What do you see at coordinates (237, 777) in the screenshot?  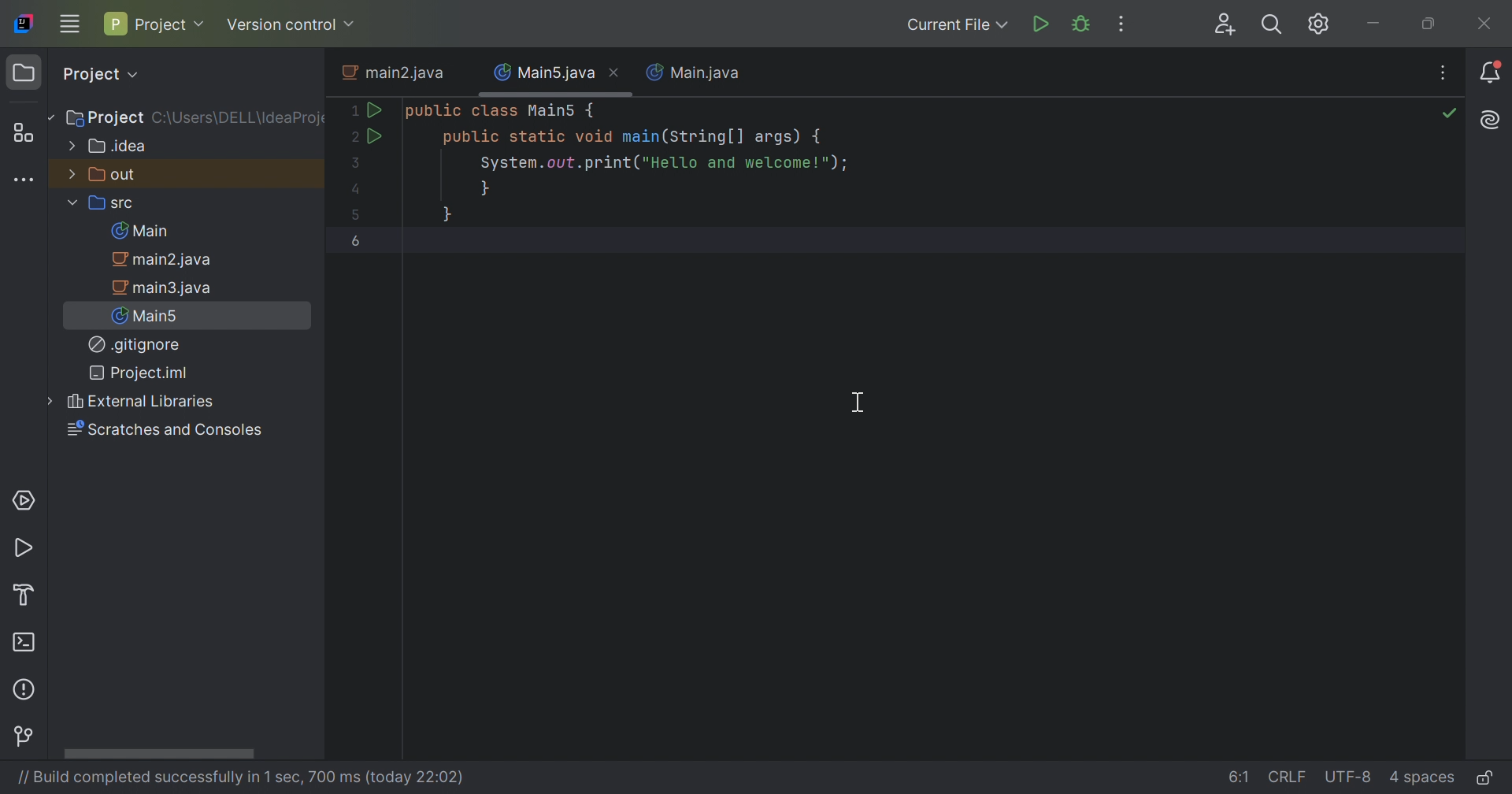 I see `// Build completed successfully in 1 sec, 700 ms(today 22:02)` at bounding box center [237, 777].